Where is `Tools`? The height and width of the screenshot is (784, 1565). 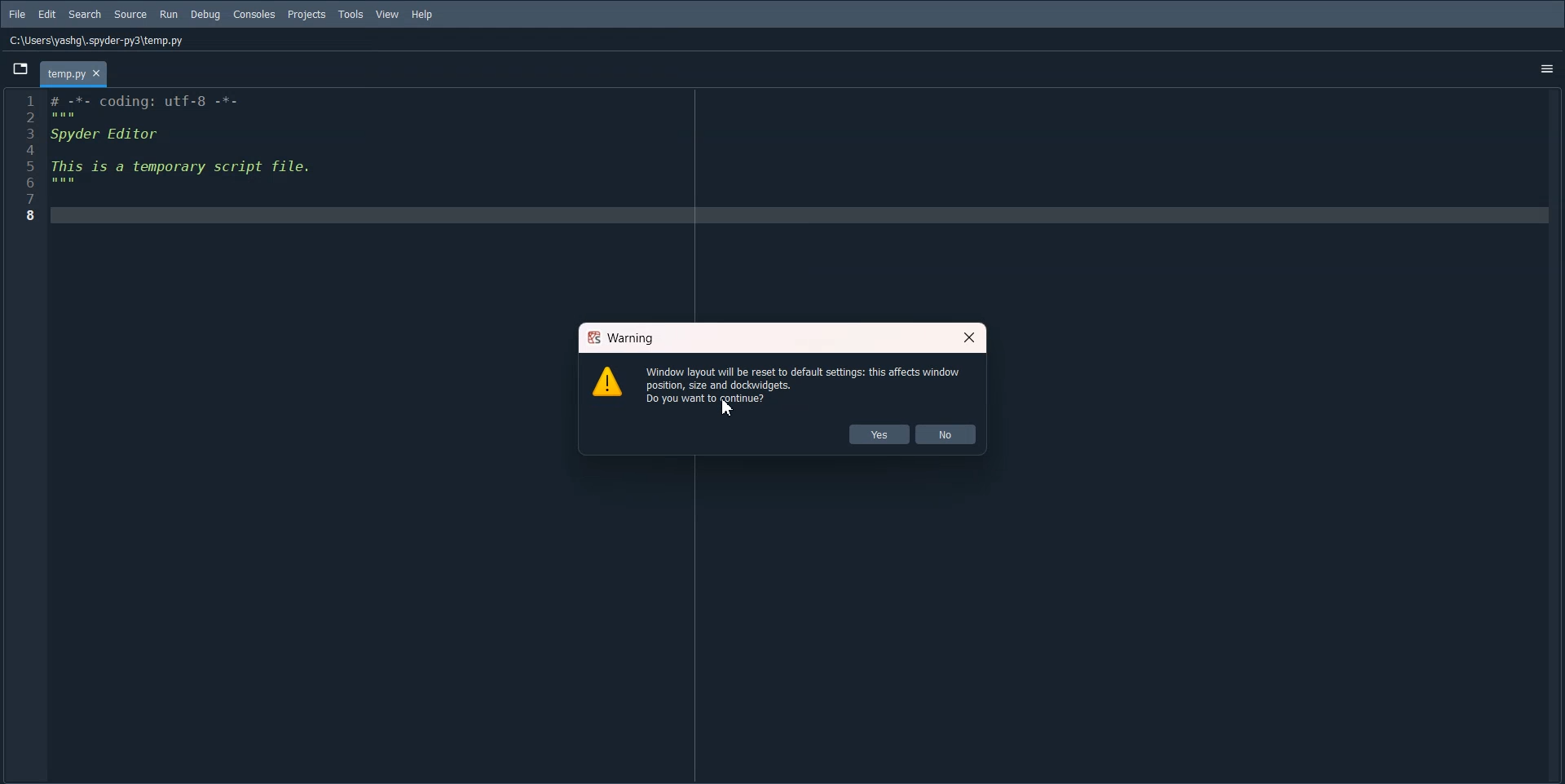 Tools is located at coordinates (350, 15).